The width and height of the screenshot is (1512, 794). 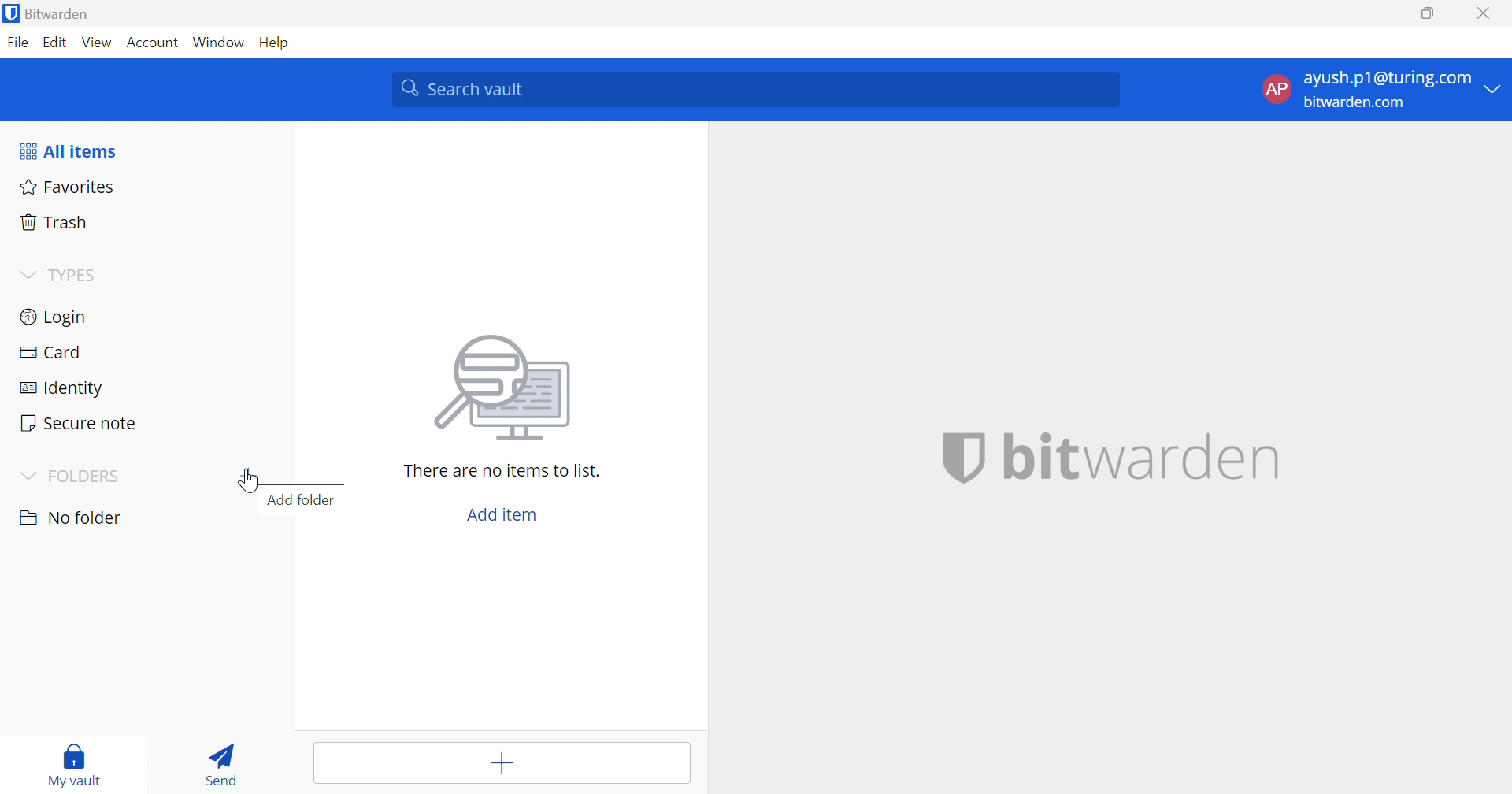 I want to click on Drop Down, so click(x=29, y=476).